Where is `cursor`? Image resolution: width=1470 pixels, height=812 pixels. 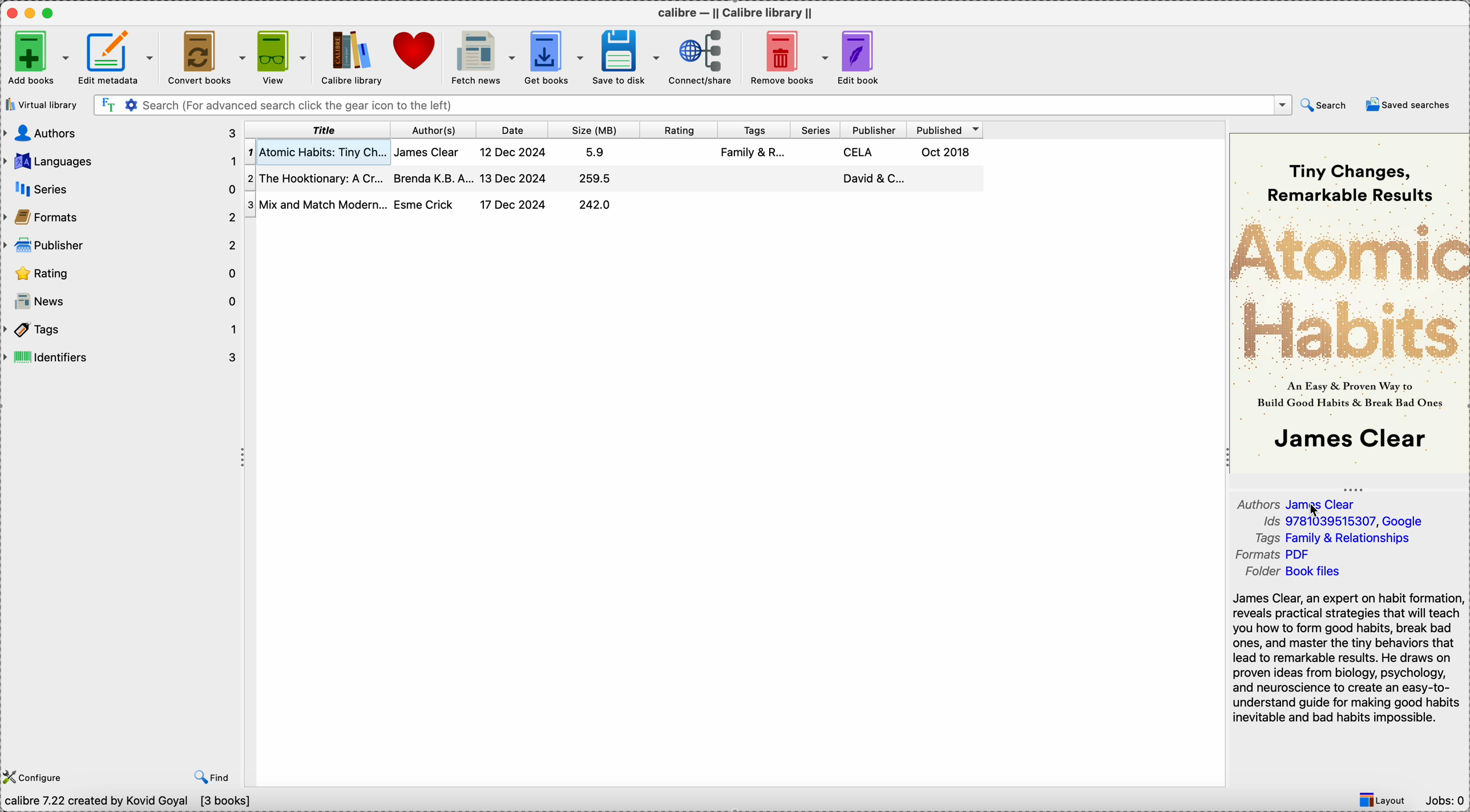
cursor is located at coordinates (1314, 511).